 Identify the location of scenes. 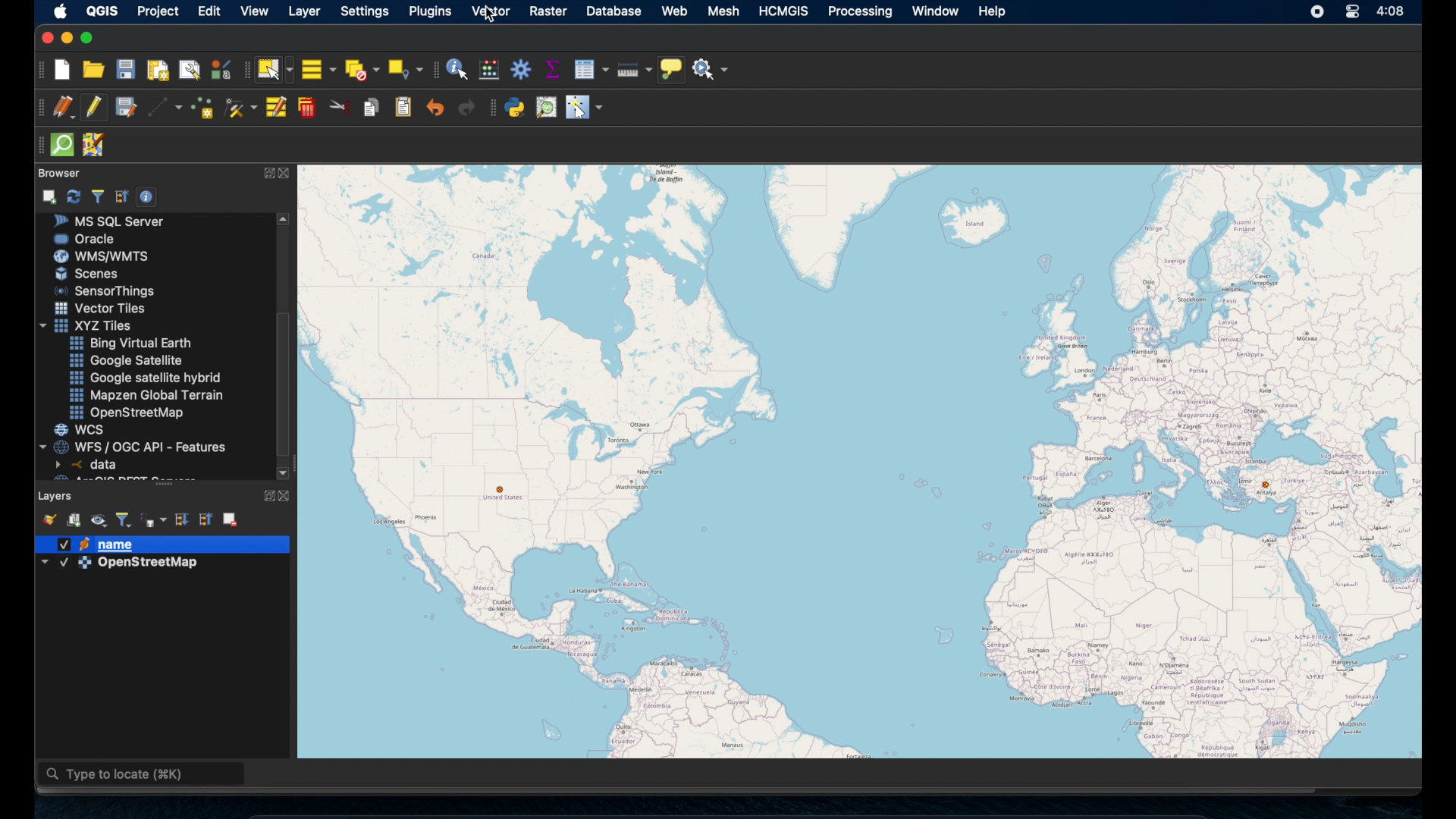
(93, 275).